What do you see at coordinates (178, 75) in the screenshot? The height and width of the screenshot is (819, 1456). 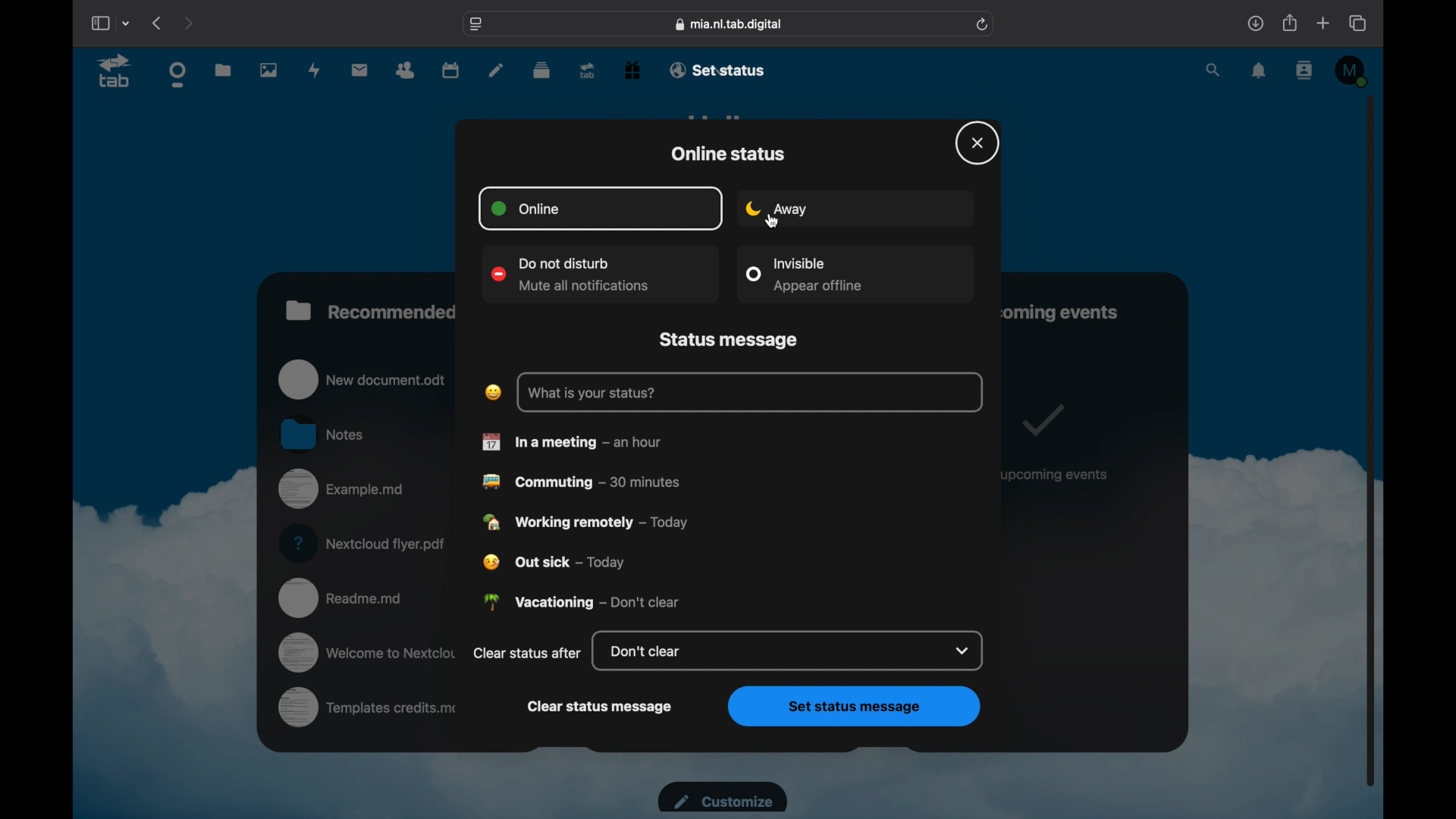 I see `dashboard` at bounding box center [178, 75].